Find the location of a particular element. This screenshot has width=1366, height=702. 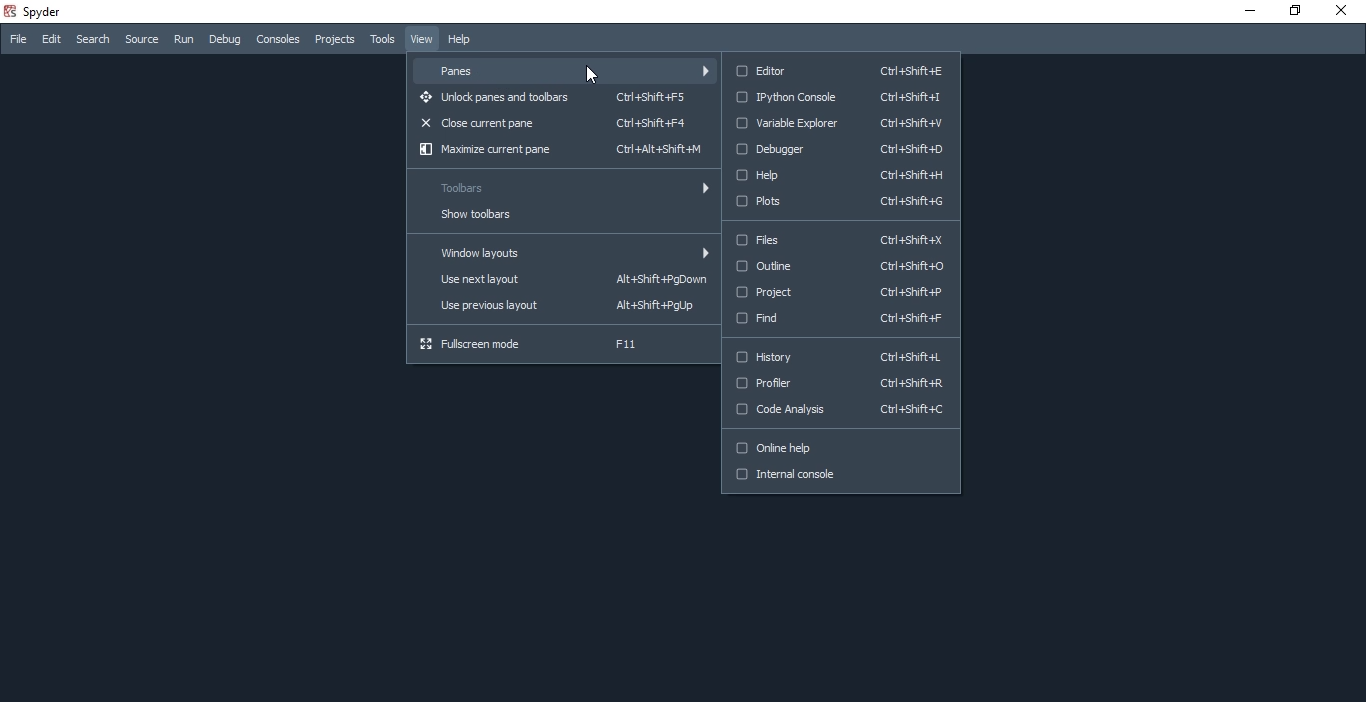

plots is located at coordinates (842, 202).